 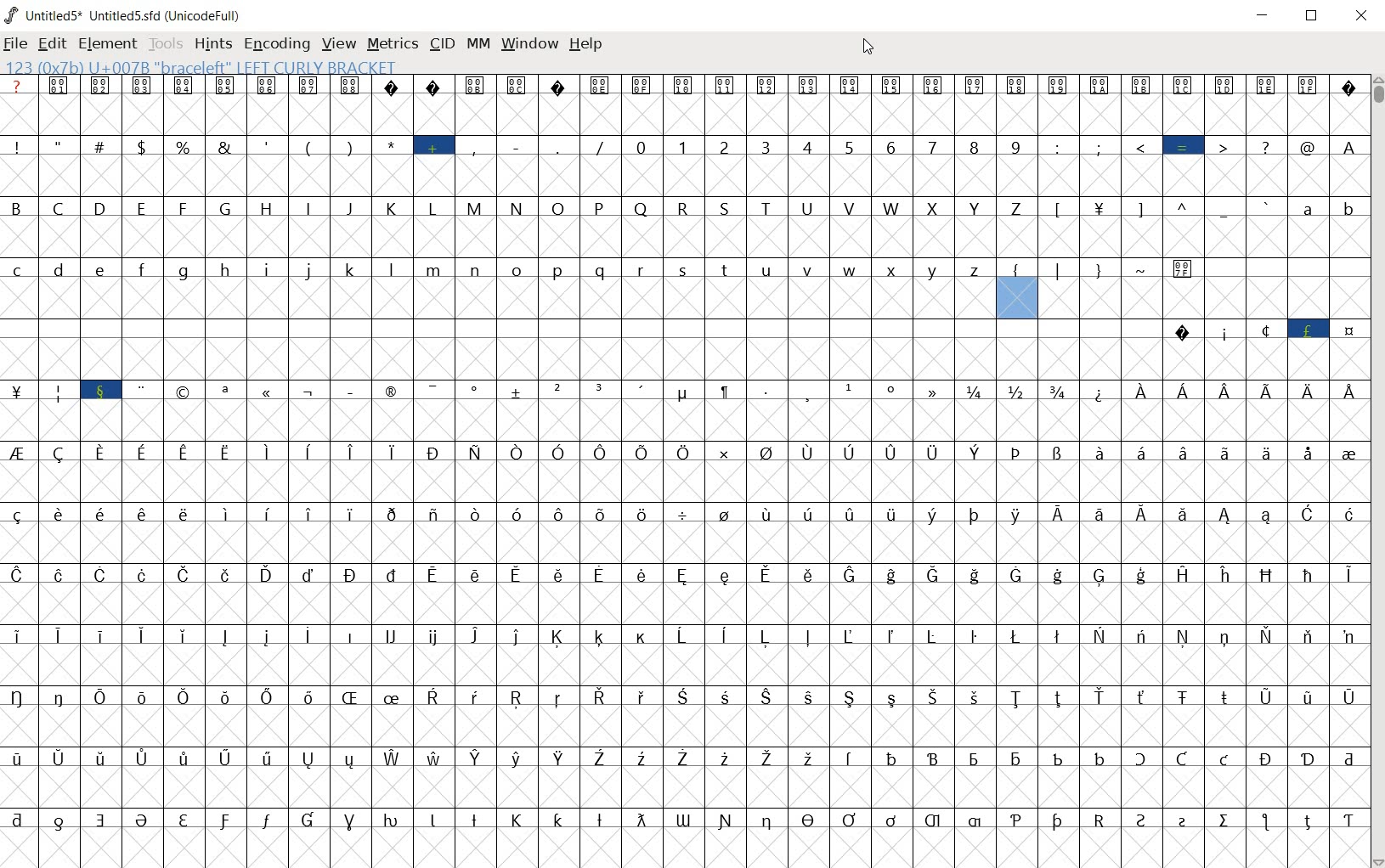 What do you see at coordinates (585, 45) in the screenshot?
I see `help` at bounding box center [585, 45].